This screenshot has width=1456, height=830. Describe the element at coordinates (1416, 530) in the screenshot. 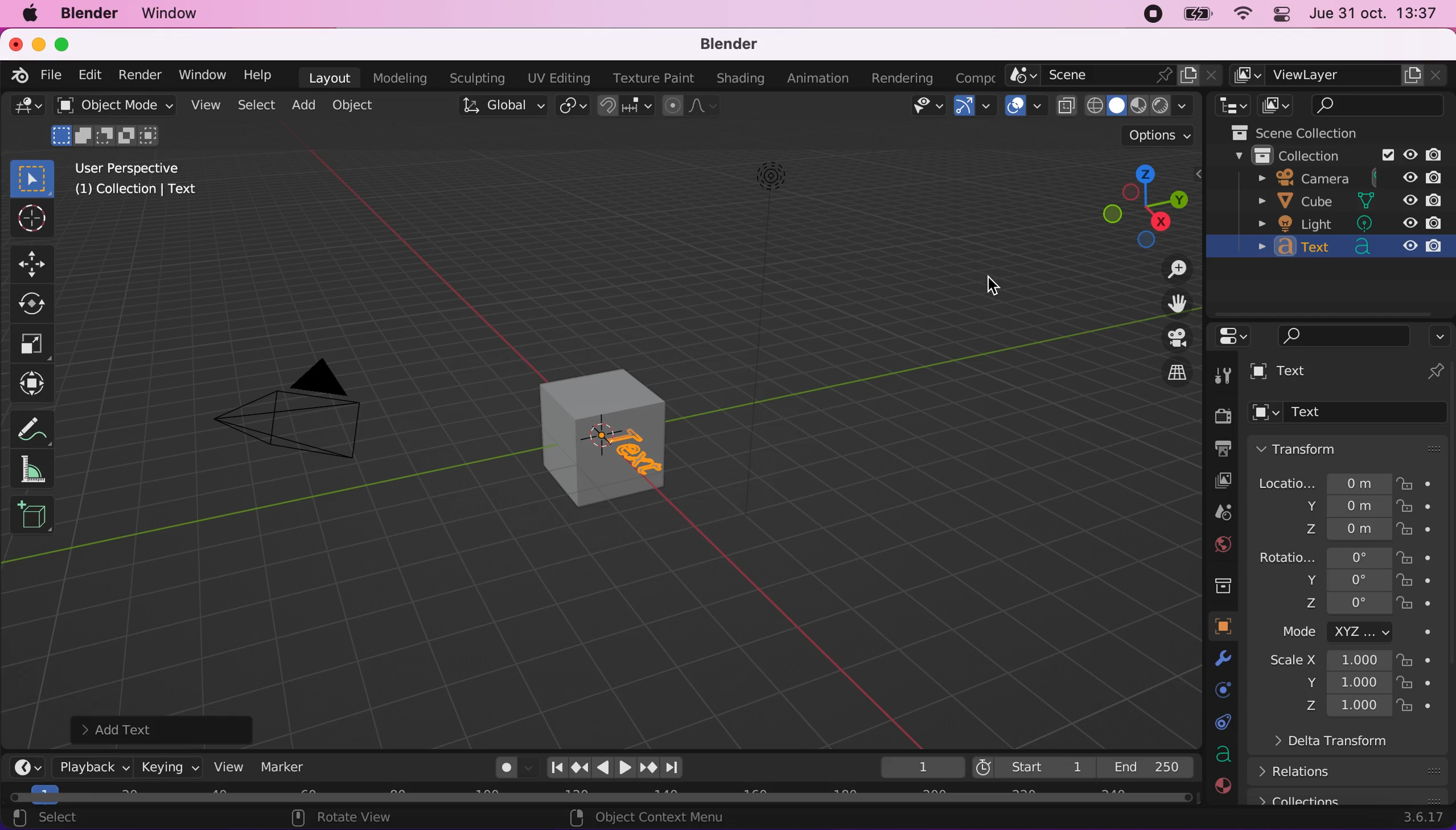

I see `lock button` at that location.